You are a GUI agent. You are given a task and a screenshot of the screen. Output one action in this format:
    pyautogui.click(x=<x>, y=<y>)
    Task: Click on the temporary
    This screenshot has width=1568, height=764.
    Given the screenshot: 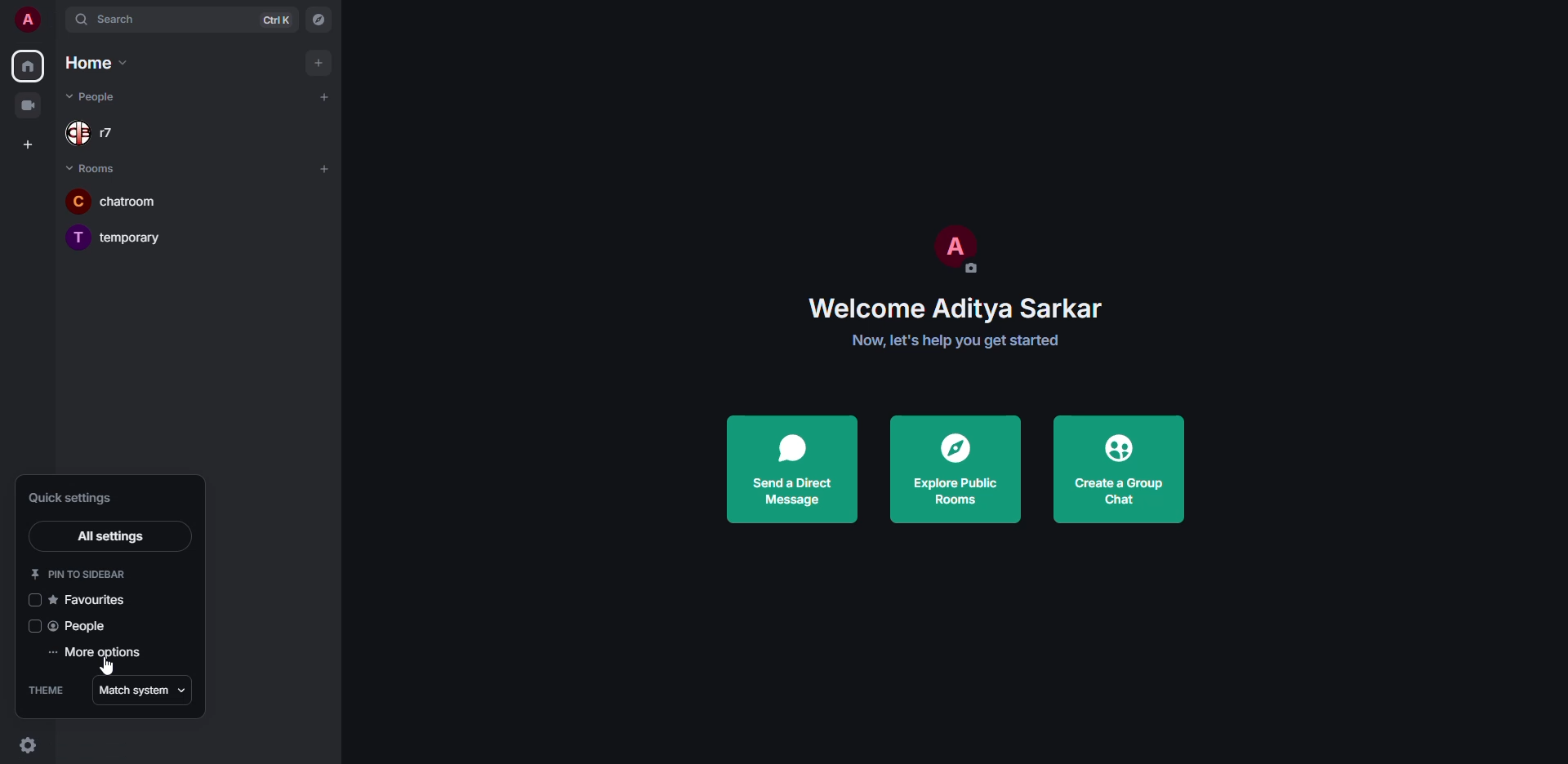 What is the action you would take?
    pyautogui.click(x=119, y=236)
    